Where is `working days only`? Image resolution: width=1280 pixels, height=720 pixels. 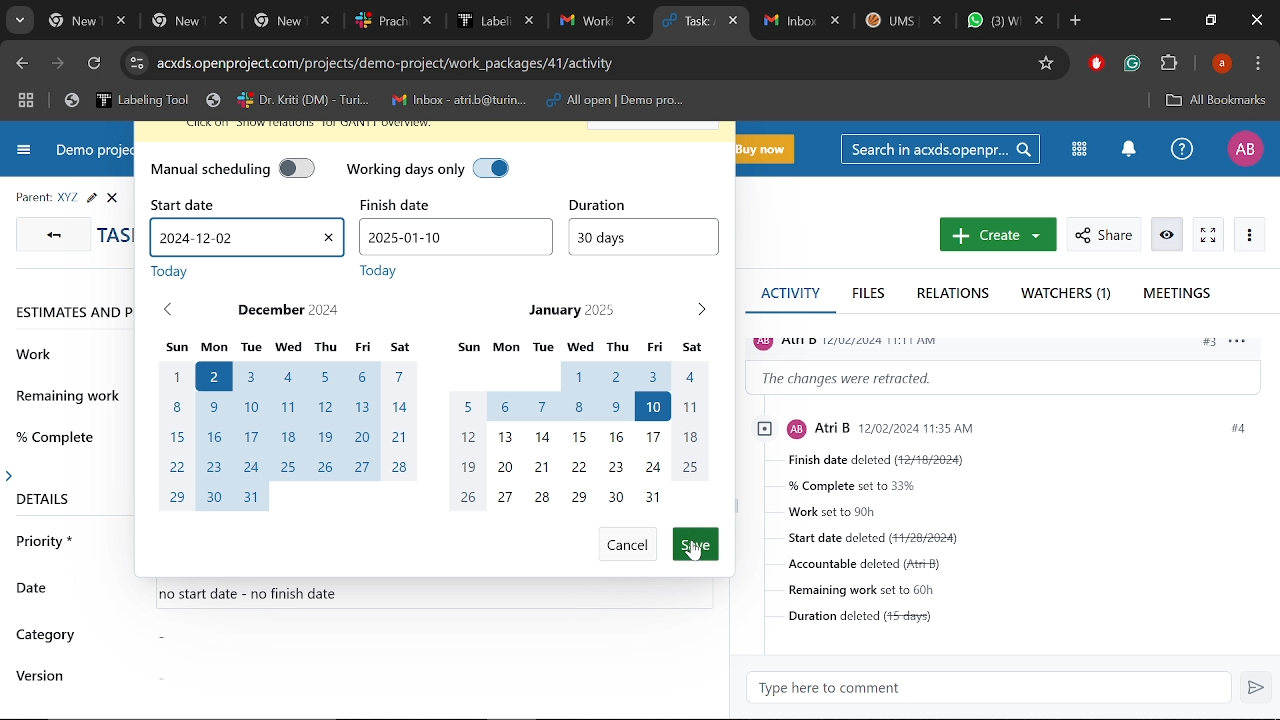 working days only is located at coordinates (400, 166).